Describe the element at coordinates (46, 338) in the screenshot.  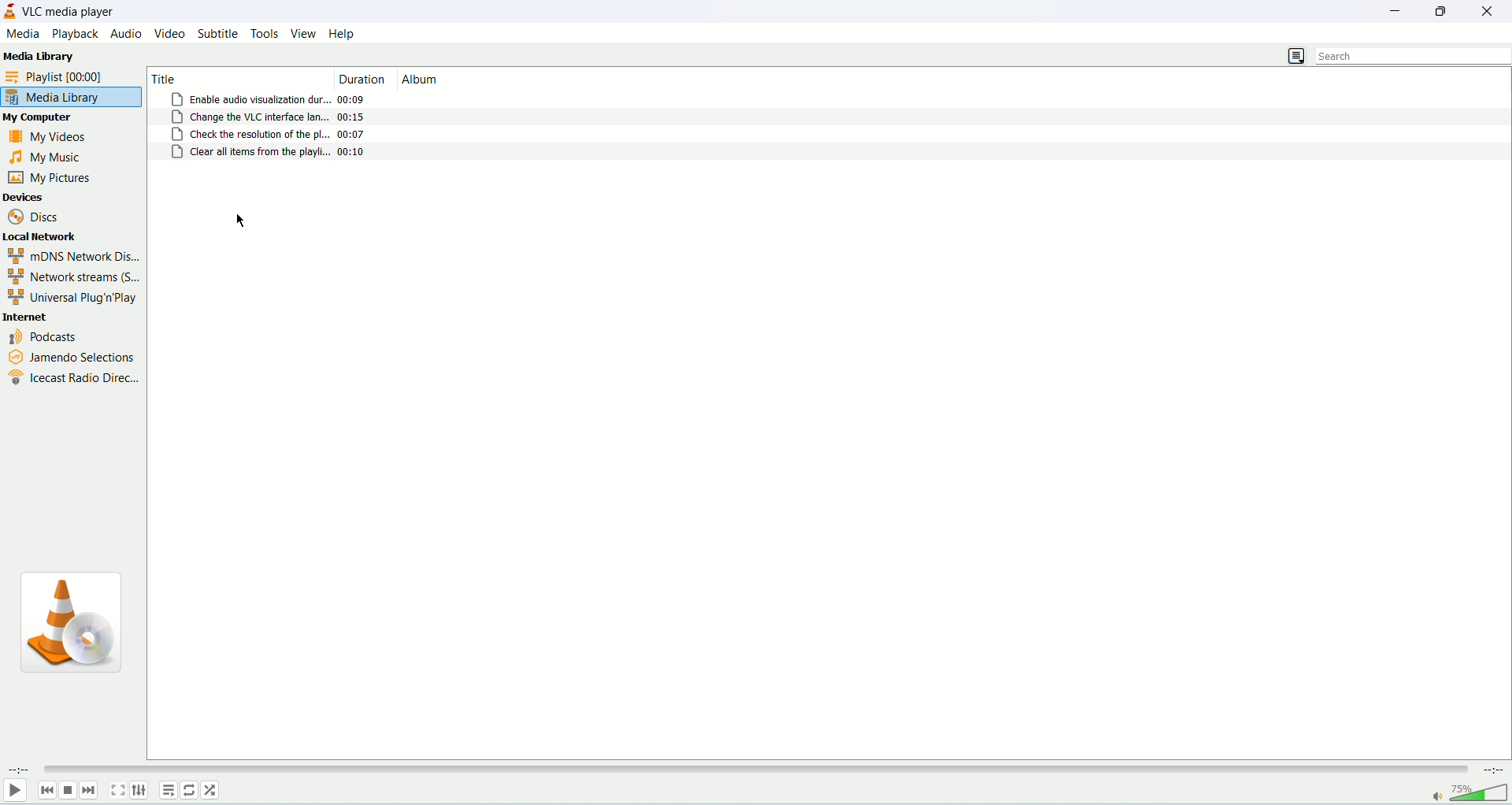
I see `podcasts` at that location.